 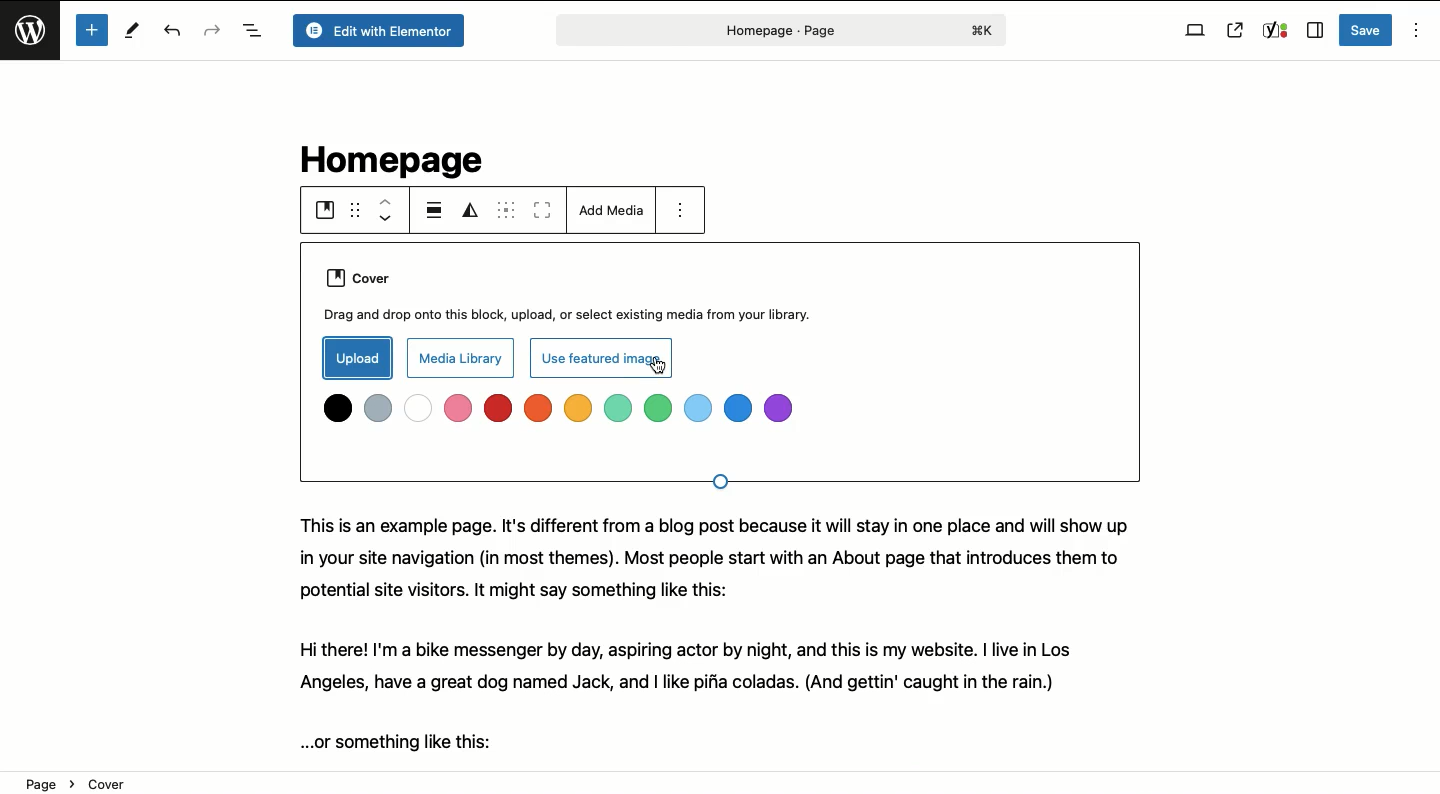 What do you see at coordinates (601, 358) in the screenshot?
I see `Use featured image` at bounding box center [601, 358].